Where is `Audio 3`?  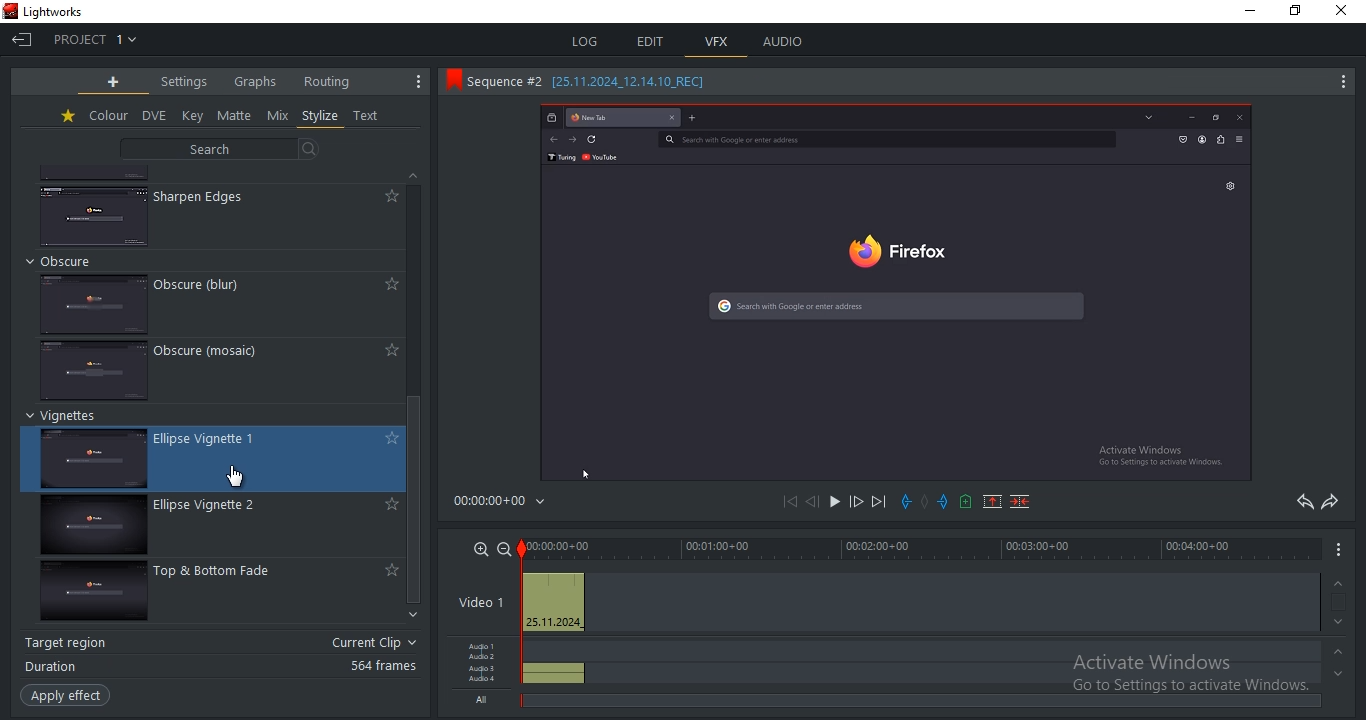
Audio 3 is located at coordinates (484, 670).